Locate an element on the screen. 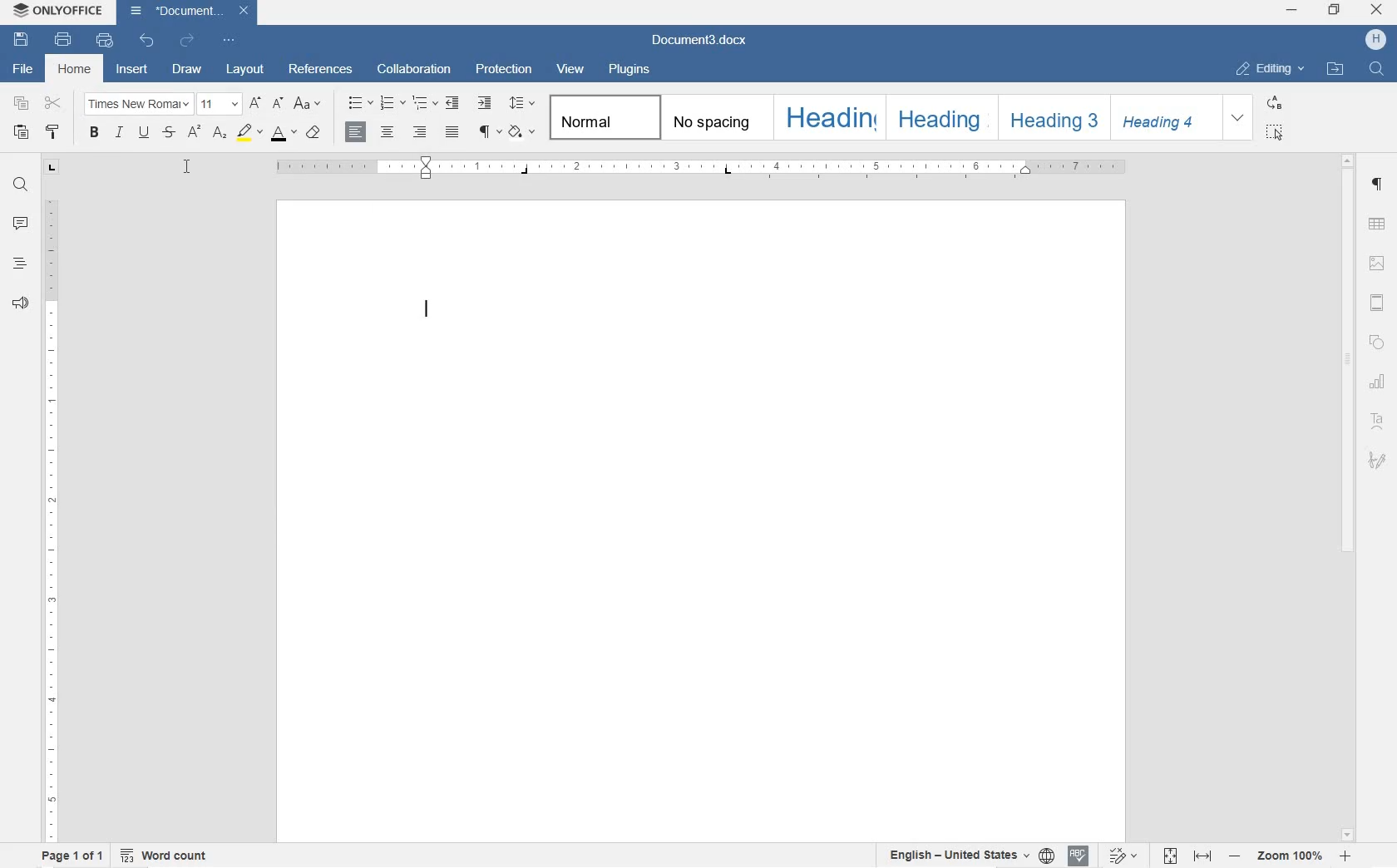 Image resolution: width=1397 pixels, height=868 pixels. cursor is located at coordinates (187, 168).